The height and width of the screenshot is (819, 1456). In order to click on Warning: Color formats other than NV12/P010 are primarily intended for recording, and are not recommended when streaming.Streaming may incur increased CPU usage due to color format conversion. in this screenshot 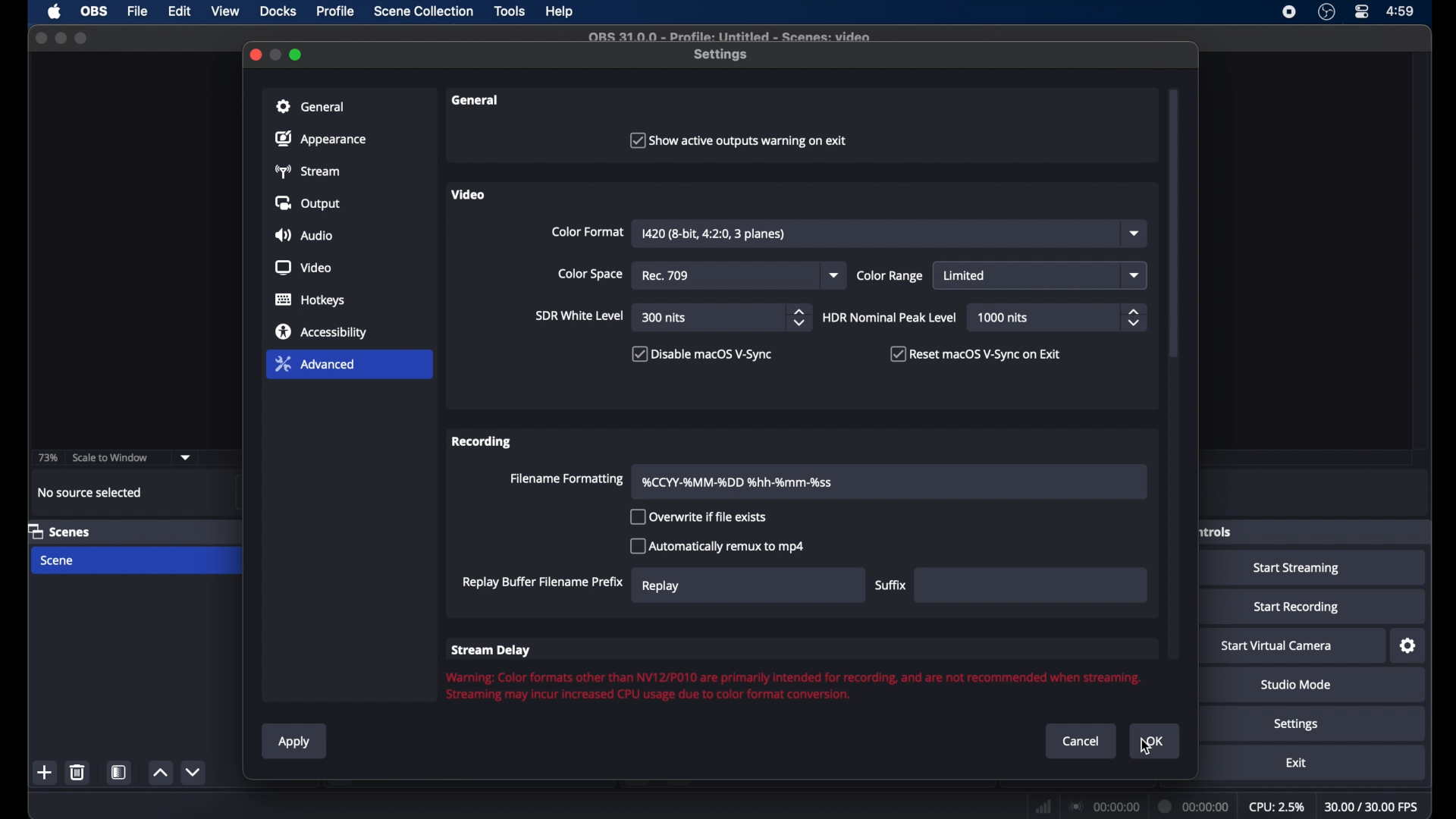, I will do `click(785, 685)`.